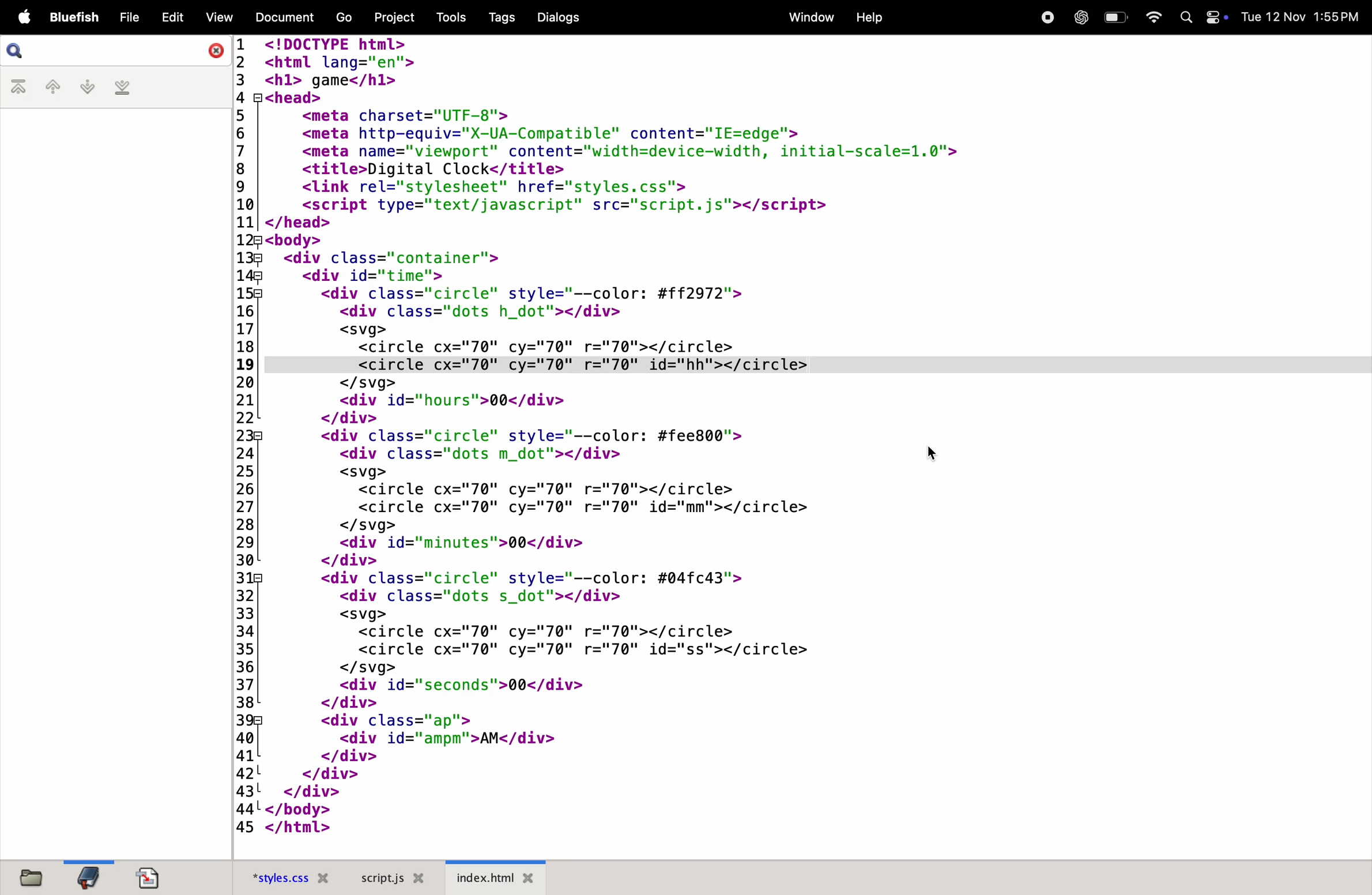 The image size is (1372, 895). I want to click on chatgpt, so click(1078, 17).